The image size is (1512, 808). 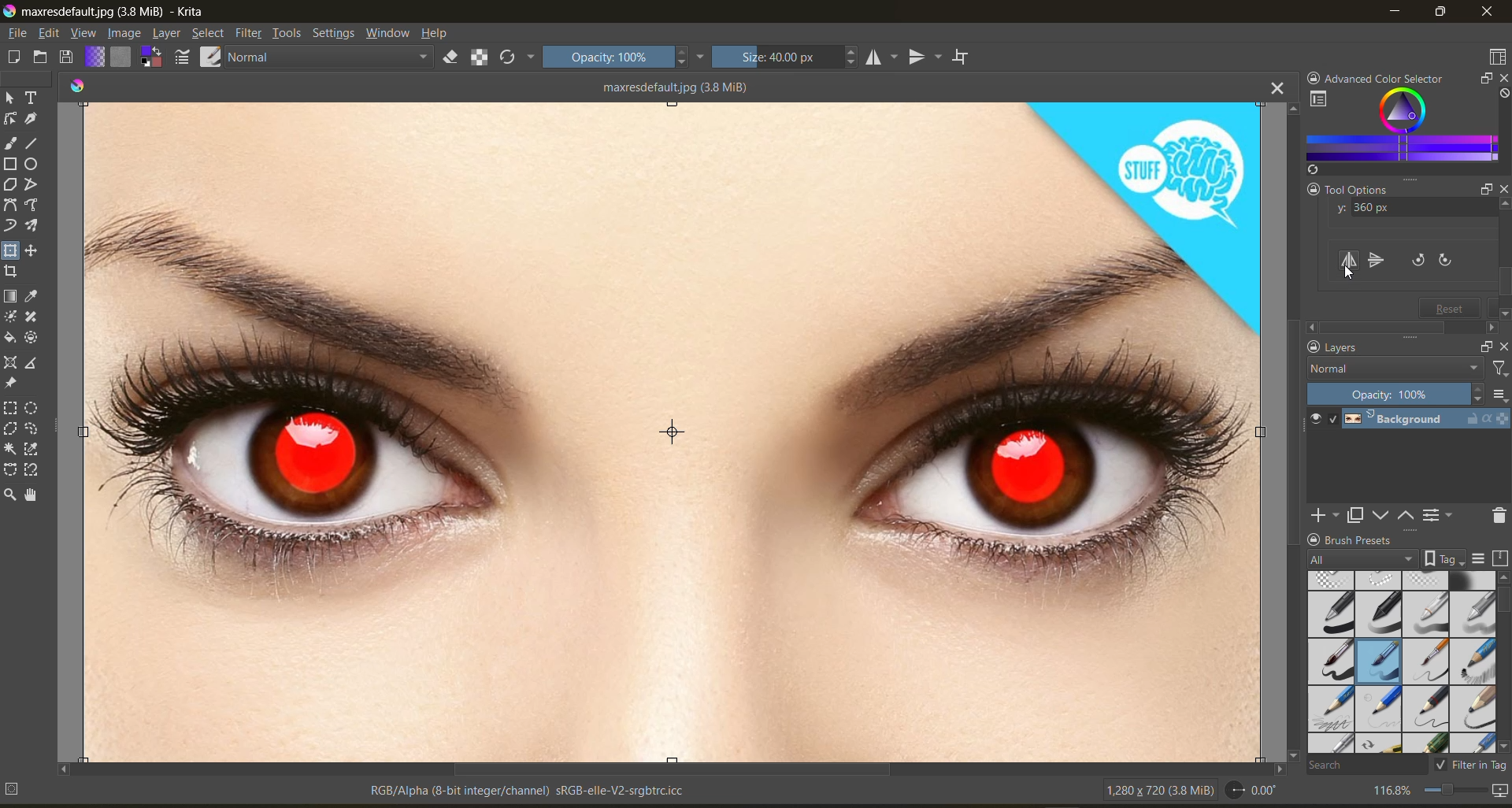 I want to click on image metadata, so click(x=1157, y=793).